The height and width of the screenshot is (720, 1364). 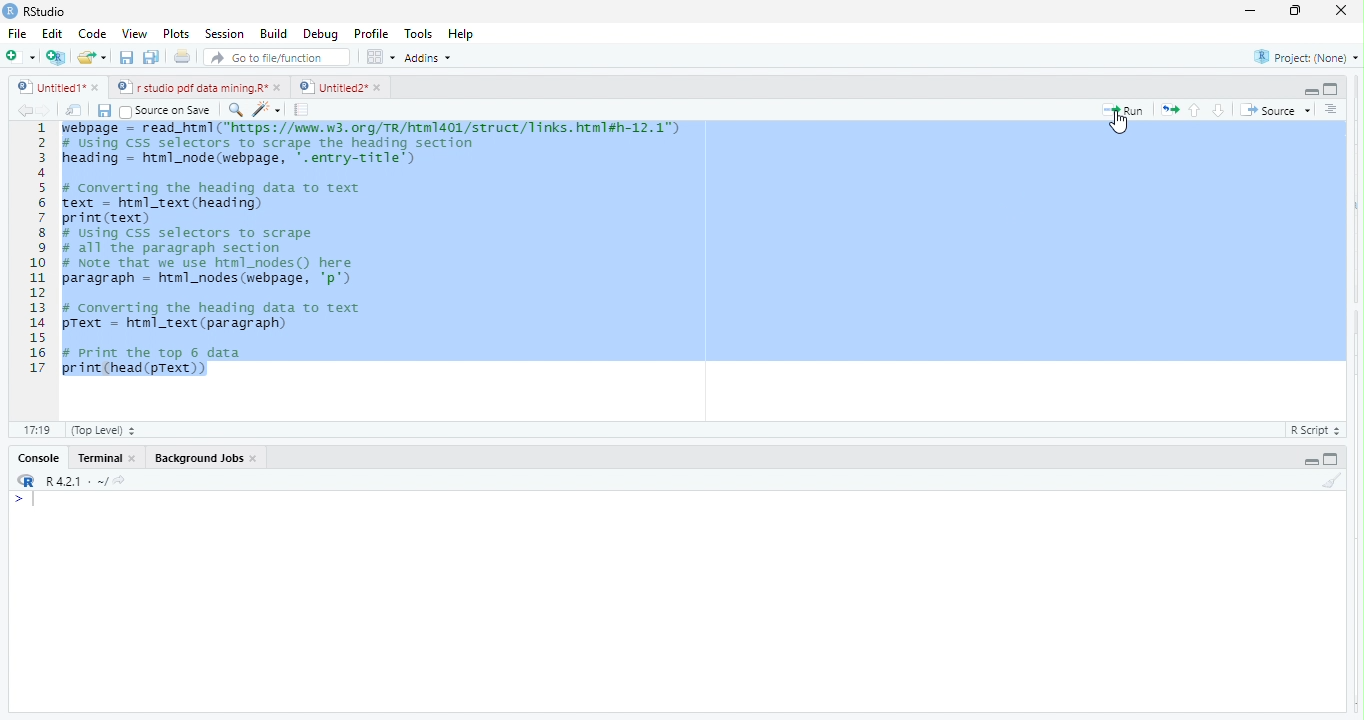 I want to click on print the current file, so click(x=179, y=58).